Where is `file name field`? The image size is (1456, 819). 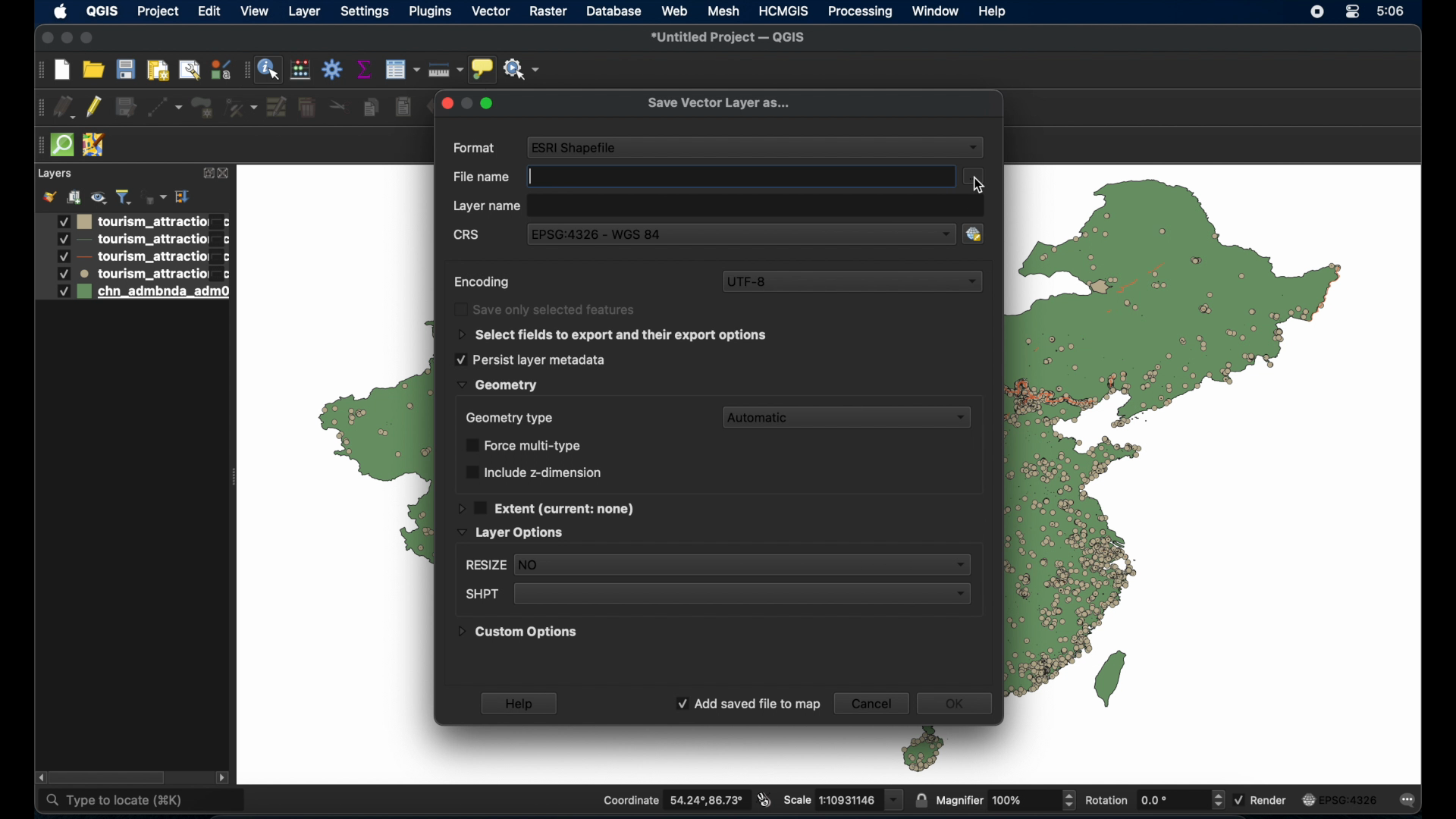
file name field is located at coordinates (741, 174).